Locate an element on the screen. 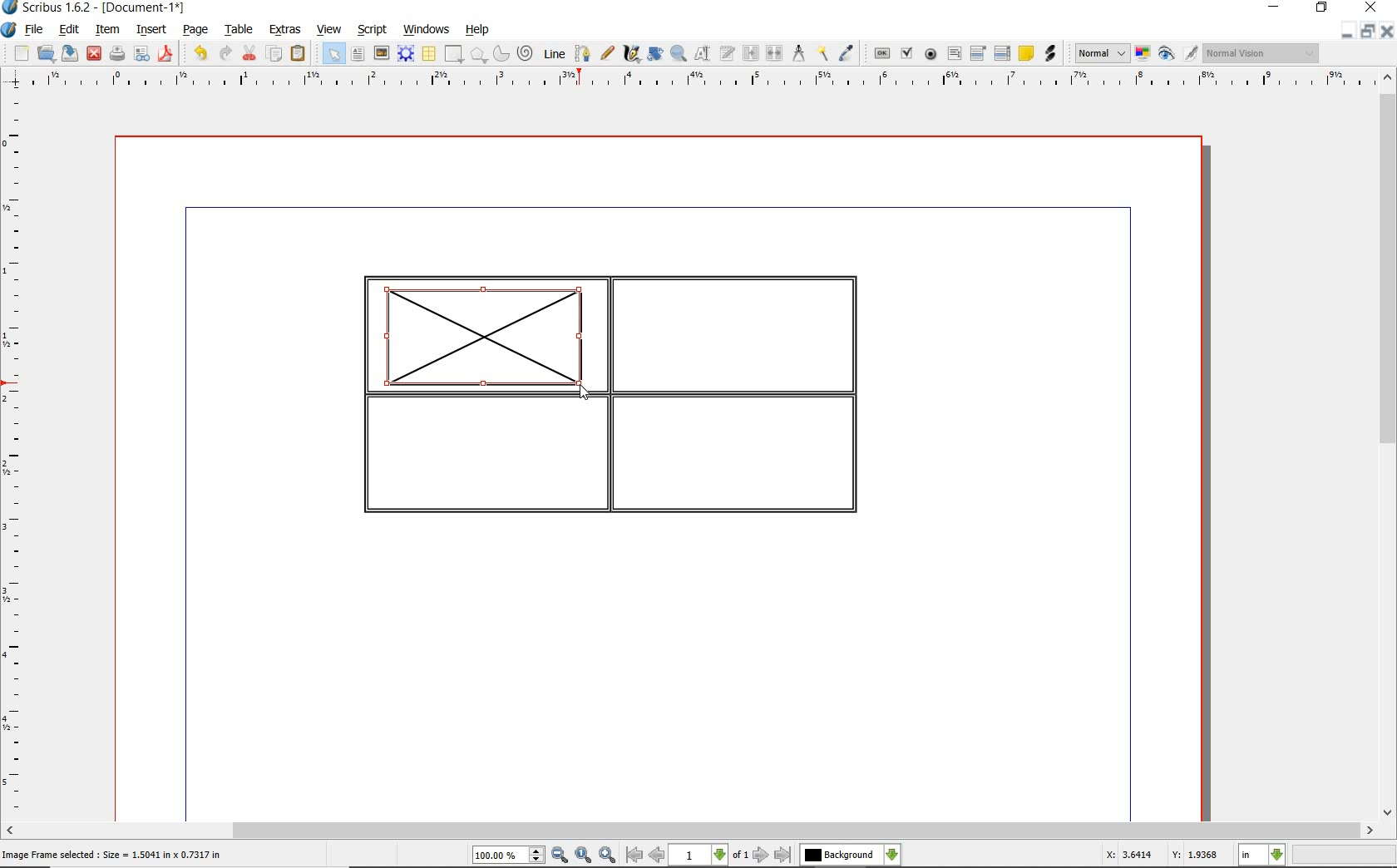 Image resolution: width=1397 pixels, height=868 pixels. pdf push button is located at coordinates (882, 52).